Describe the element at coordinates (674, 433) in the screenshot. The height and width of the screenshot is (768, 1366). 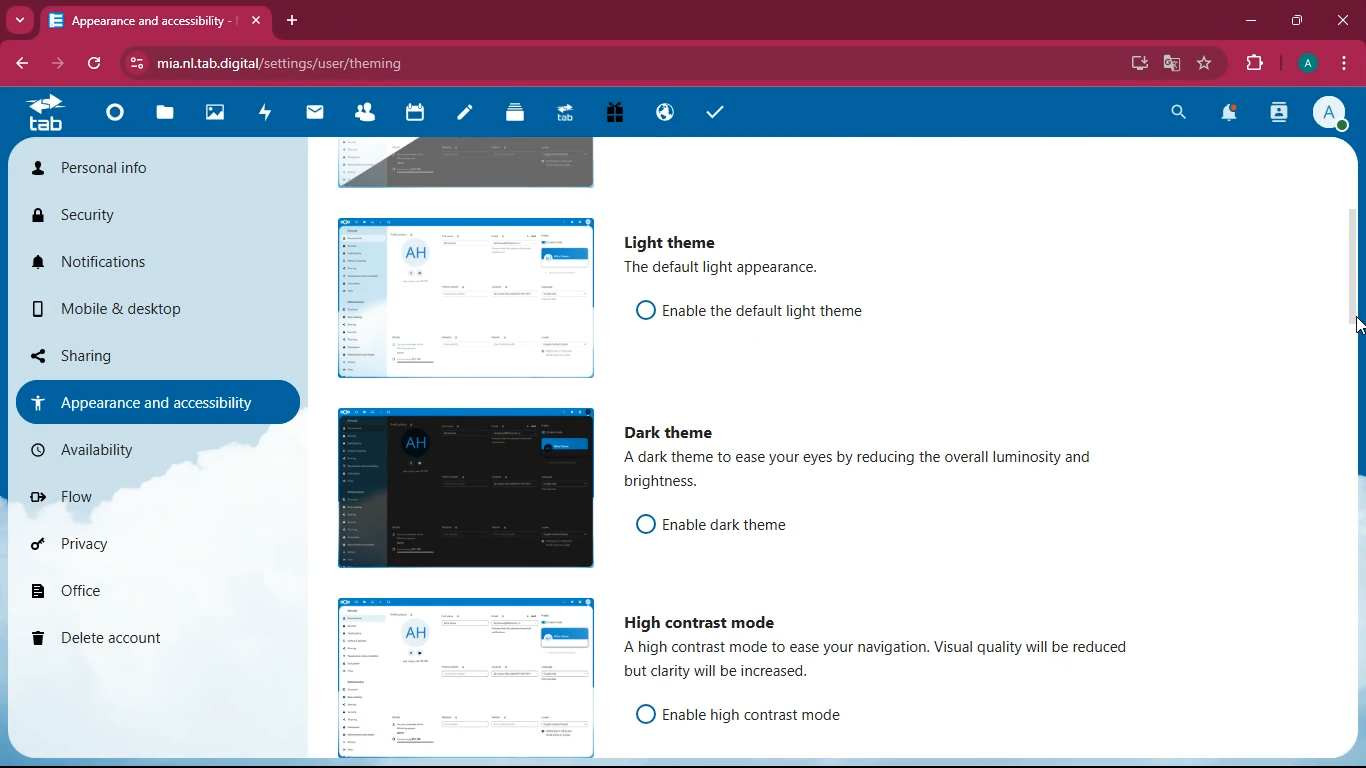
I see `dark theme` at that location.